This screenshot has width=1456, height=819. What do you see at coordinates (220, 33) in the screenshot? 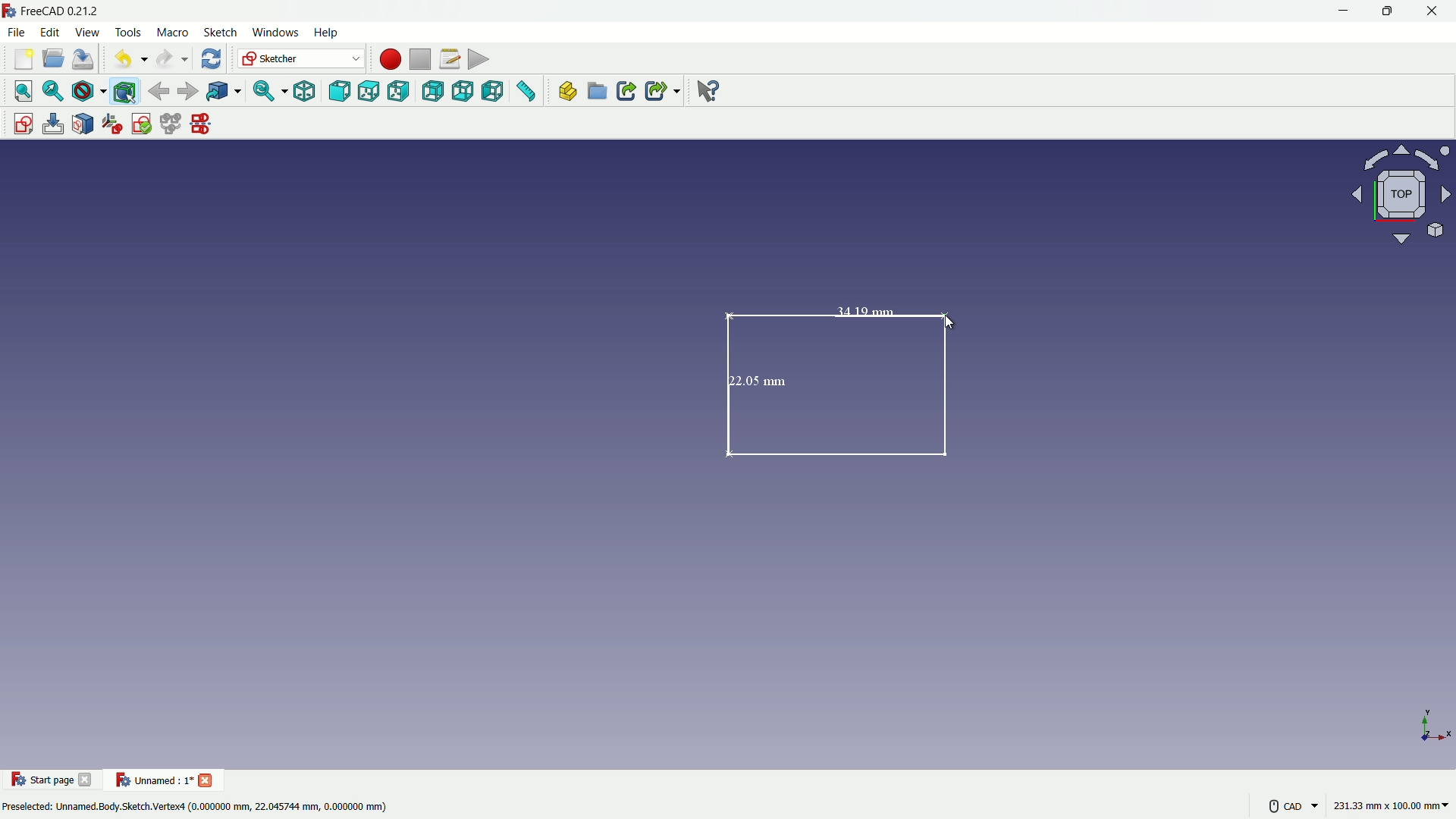
I see `sketch menu` at bounding box center [220, 33].